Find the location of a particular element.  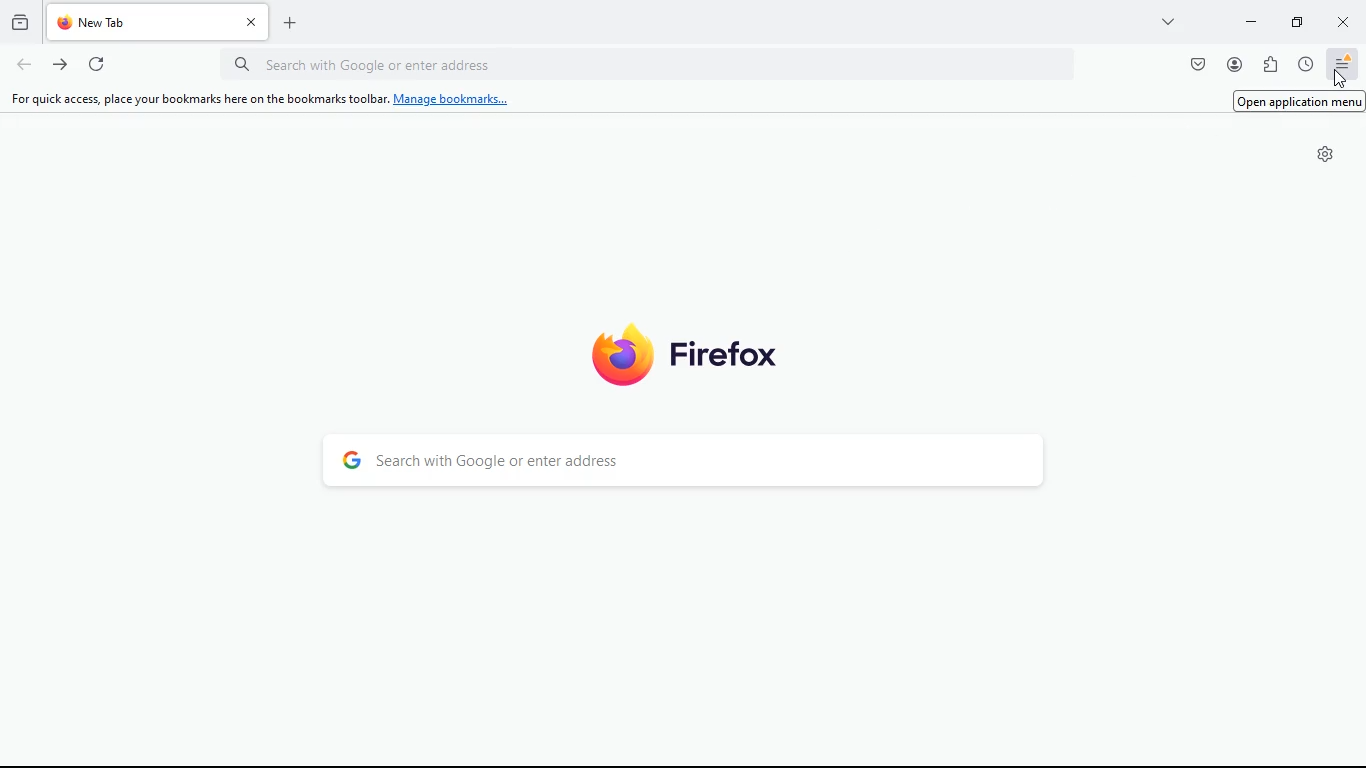

minimize is located at coordinates (1295, 21).